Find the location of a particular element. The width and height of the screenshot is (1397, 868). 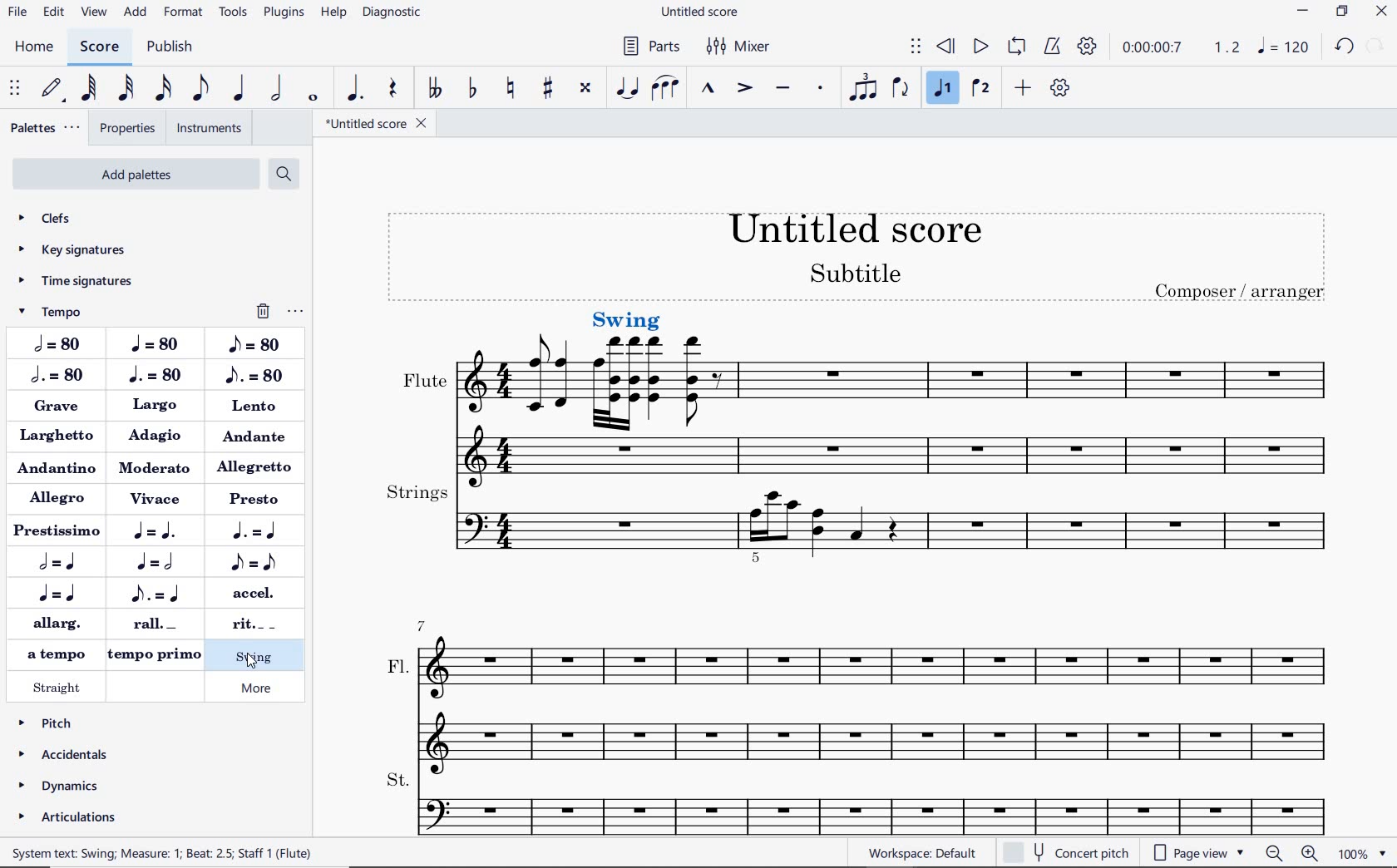

cursor is located at coordinates (249, 663).